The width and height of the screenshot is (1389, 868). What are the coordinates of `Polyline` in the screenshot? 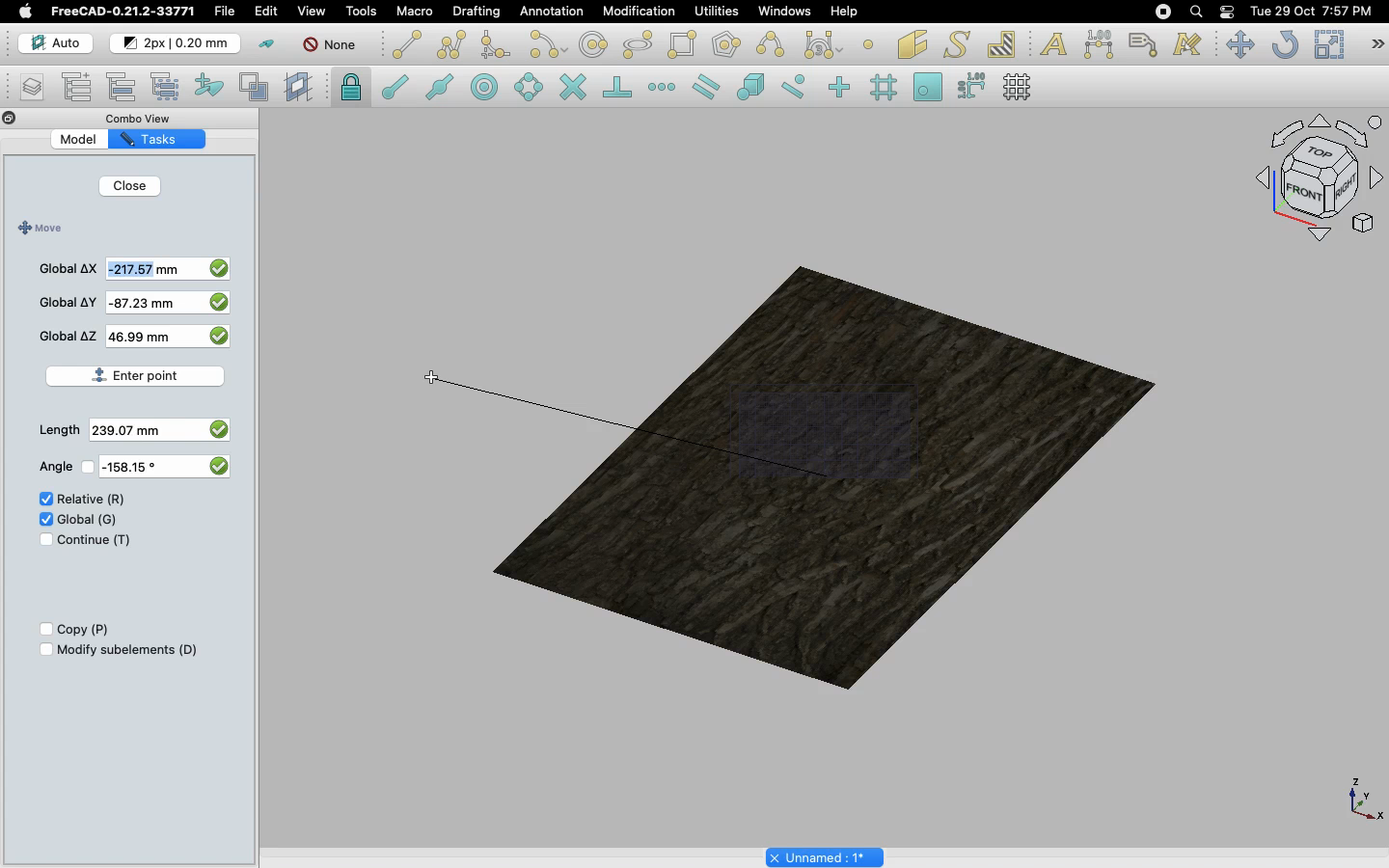 It's located at (451, 44).